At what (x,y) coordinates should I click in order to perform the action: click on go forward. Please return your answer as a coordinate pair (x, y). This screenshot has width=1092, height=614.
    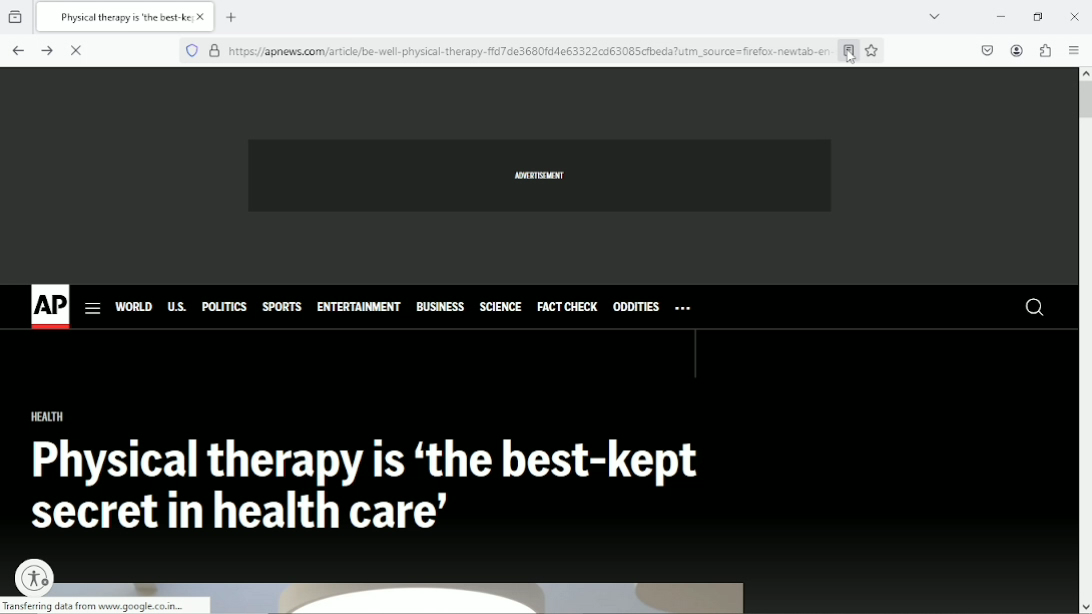
    Looking at the image, I should click on (47, 50).